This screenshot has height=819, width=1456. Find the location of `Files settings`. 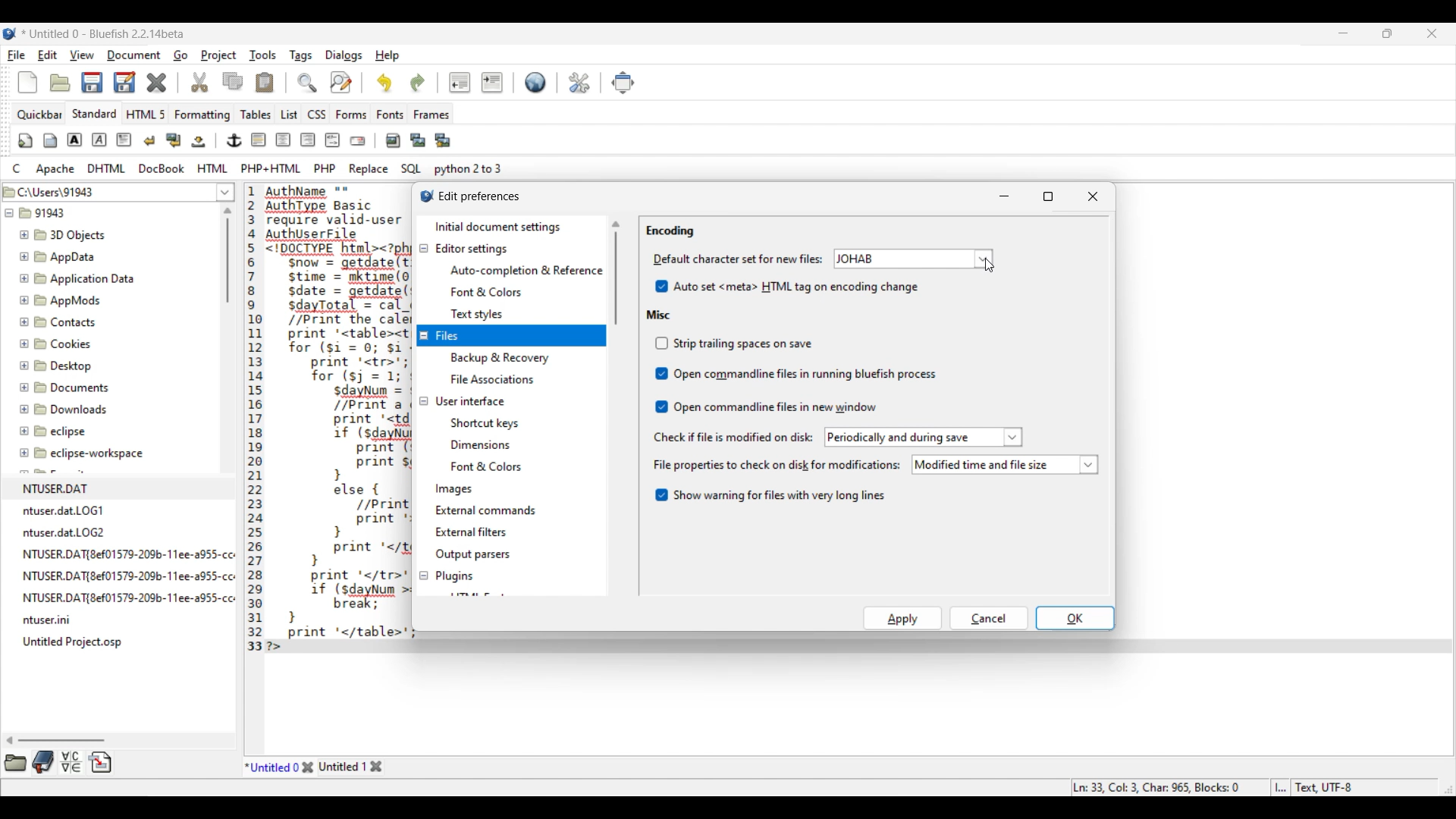

Files settings is located at coordinates (447, 336).